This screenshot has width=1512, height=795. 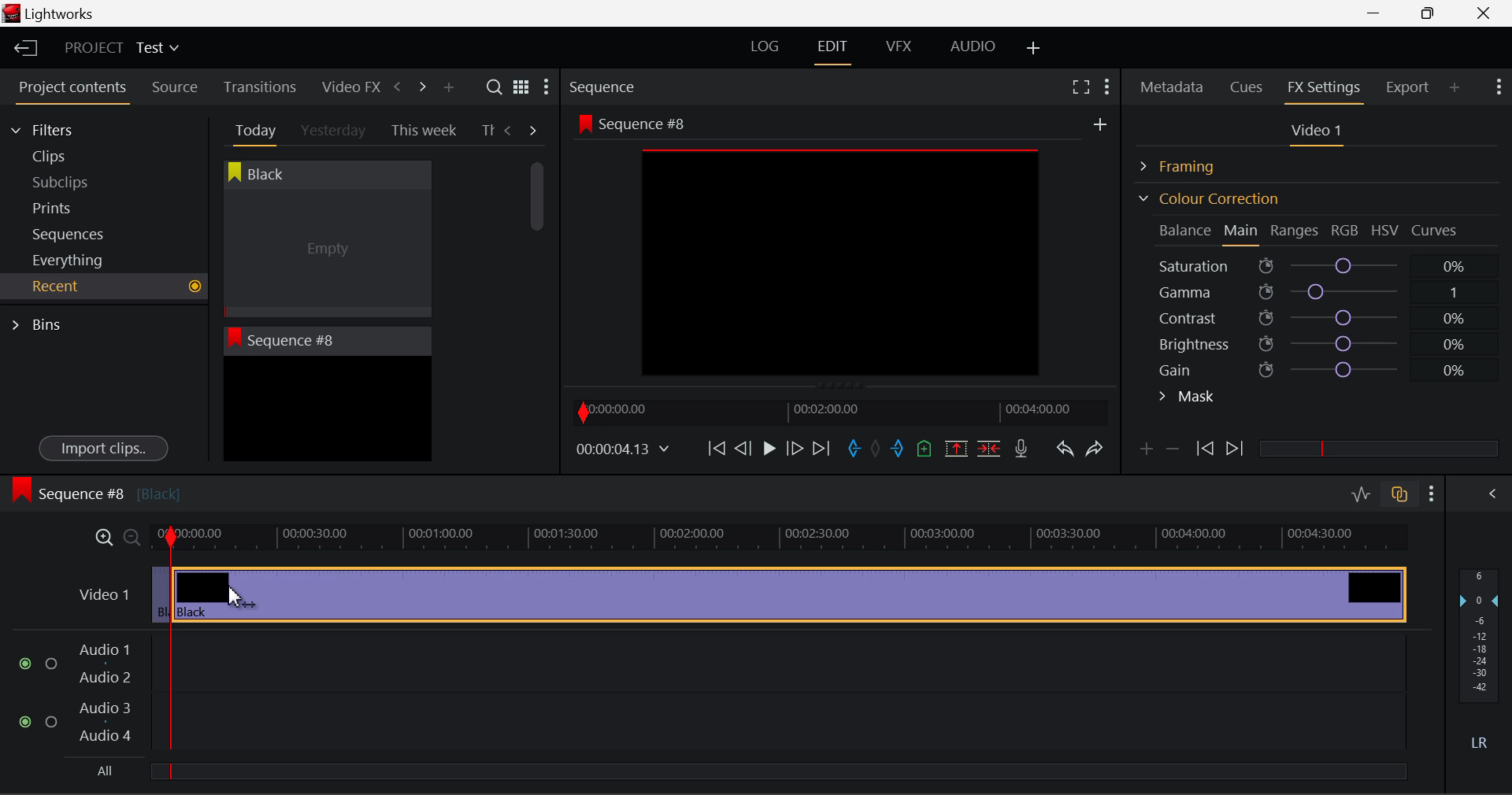 What do you see at coordinates (422, 131) in the screenshot?
I see `This week Tab` at bounding box center [422, 131].